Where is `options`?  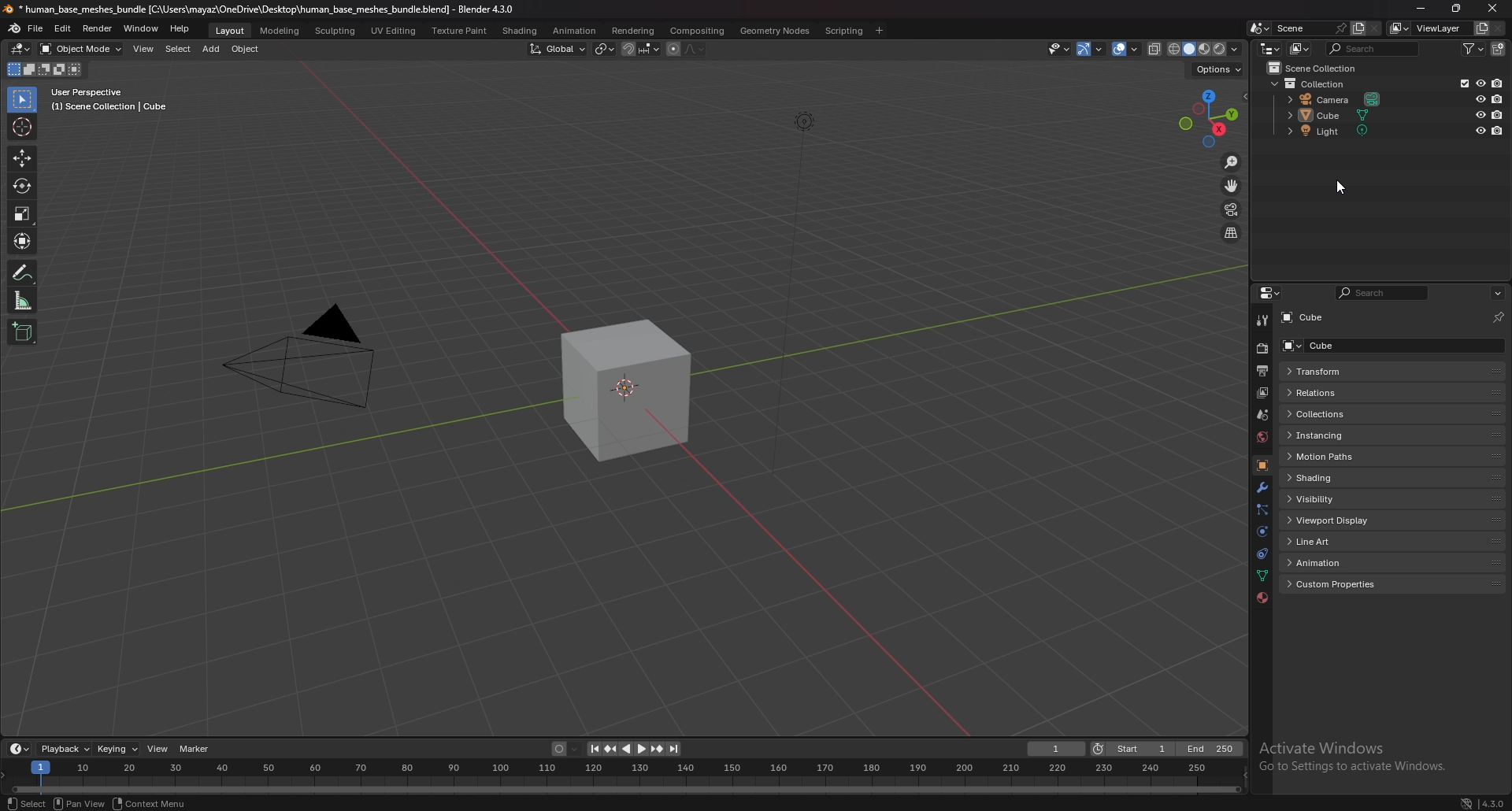 options is located at coordinates (1218, 68).